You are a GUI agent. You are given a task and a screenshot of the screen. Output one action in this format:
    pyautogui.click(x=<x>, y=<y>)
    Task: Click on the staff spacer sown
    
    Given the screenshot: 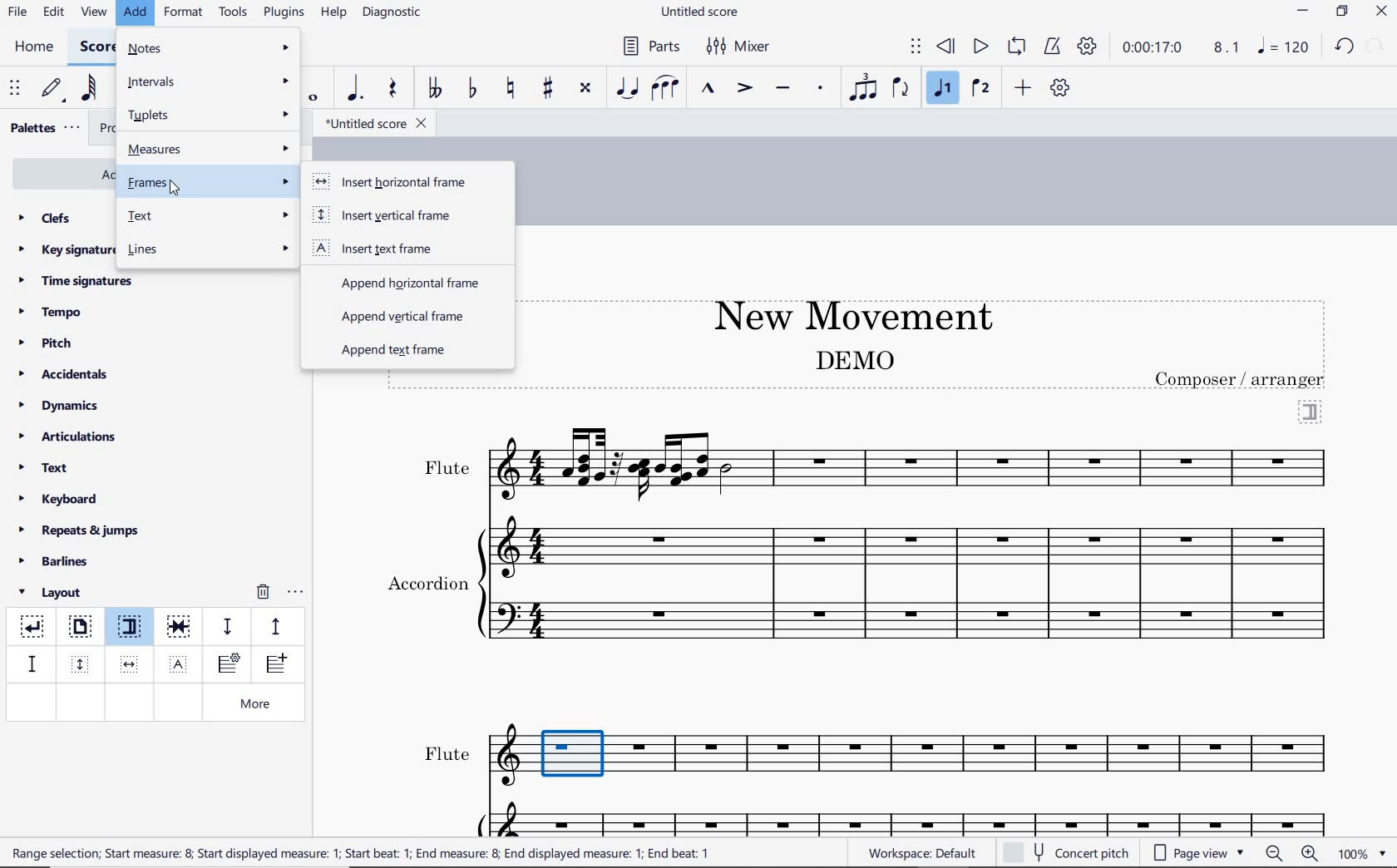 What is the action you would take?
    pyautogui.click(x=227, y=627)
    